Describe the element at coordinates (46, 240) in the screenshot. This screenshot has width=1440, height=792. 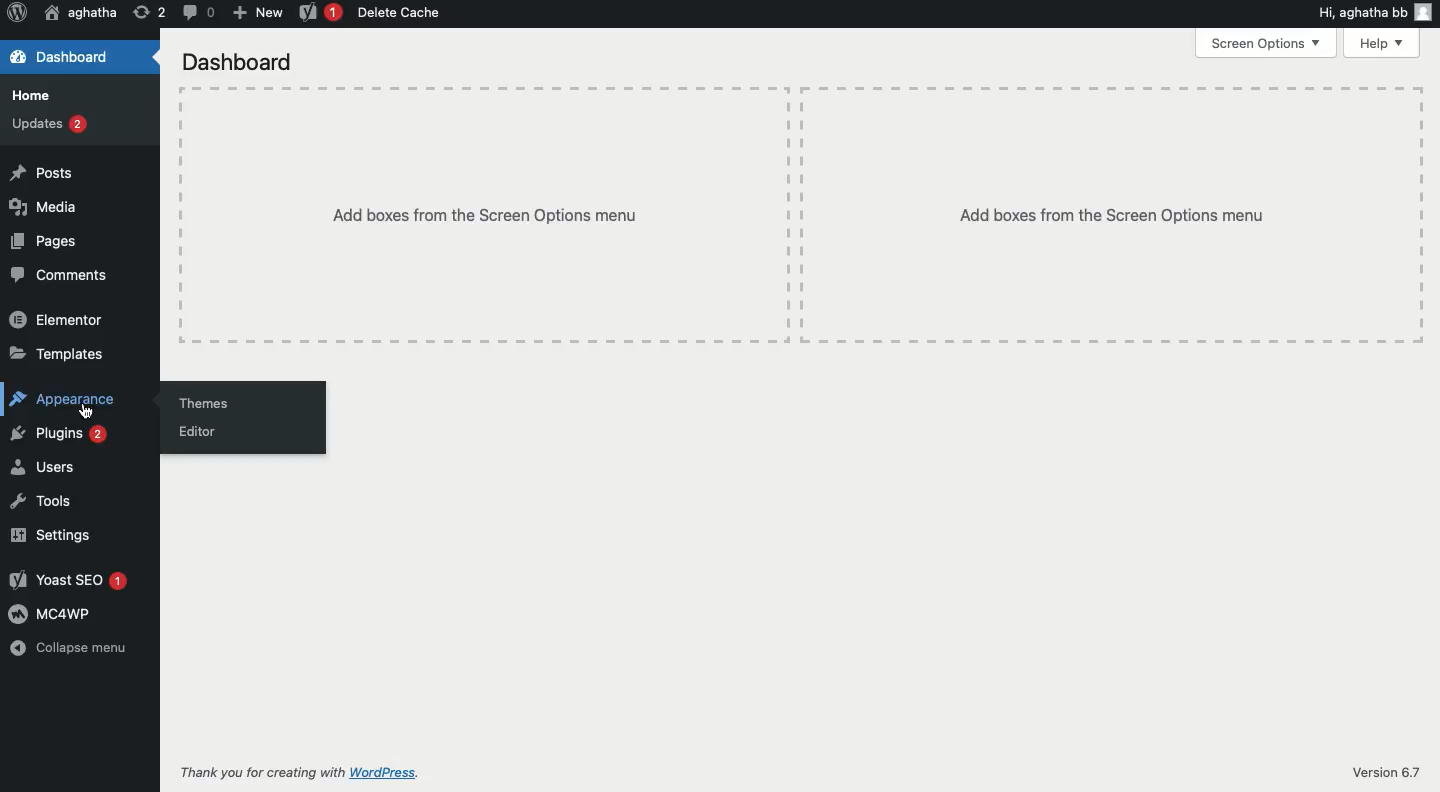
I see `Pages` at that location.